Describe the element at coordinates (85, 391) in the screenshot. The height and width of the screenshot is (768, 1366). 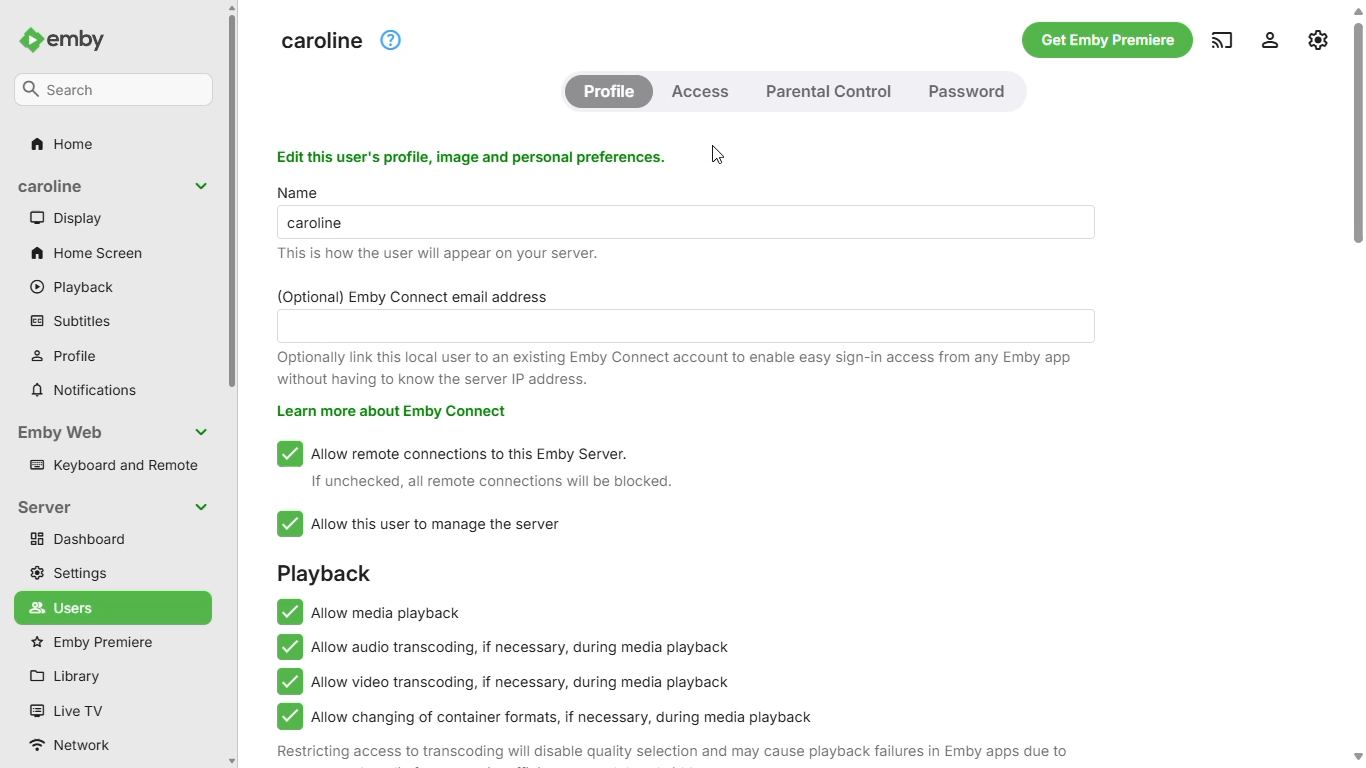
I see `notifications` at that location.